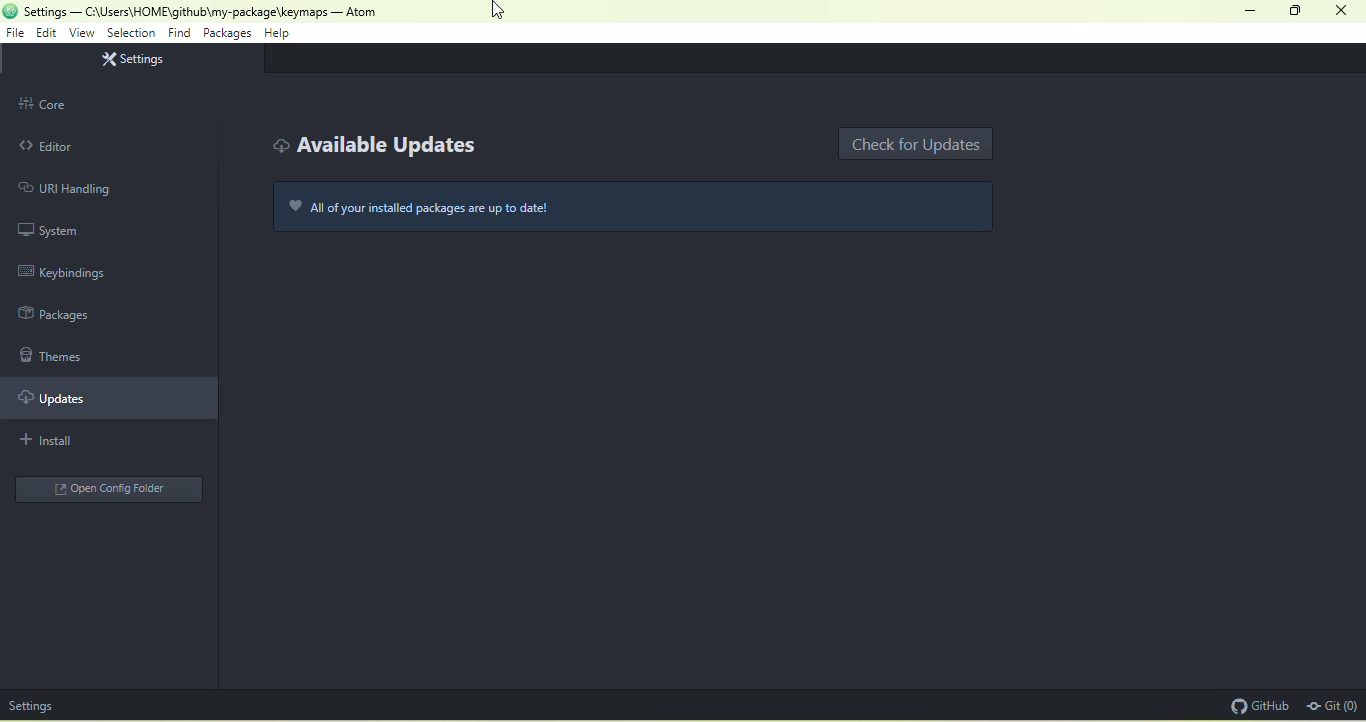 This screenshot has height=722, width=1366. Describe the element at coordinates (175, 11) in the screenshot. I see `current directory` at that location.